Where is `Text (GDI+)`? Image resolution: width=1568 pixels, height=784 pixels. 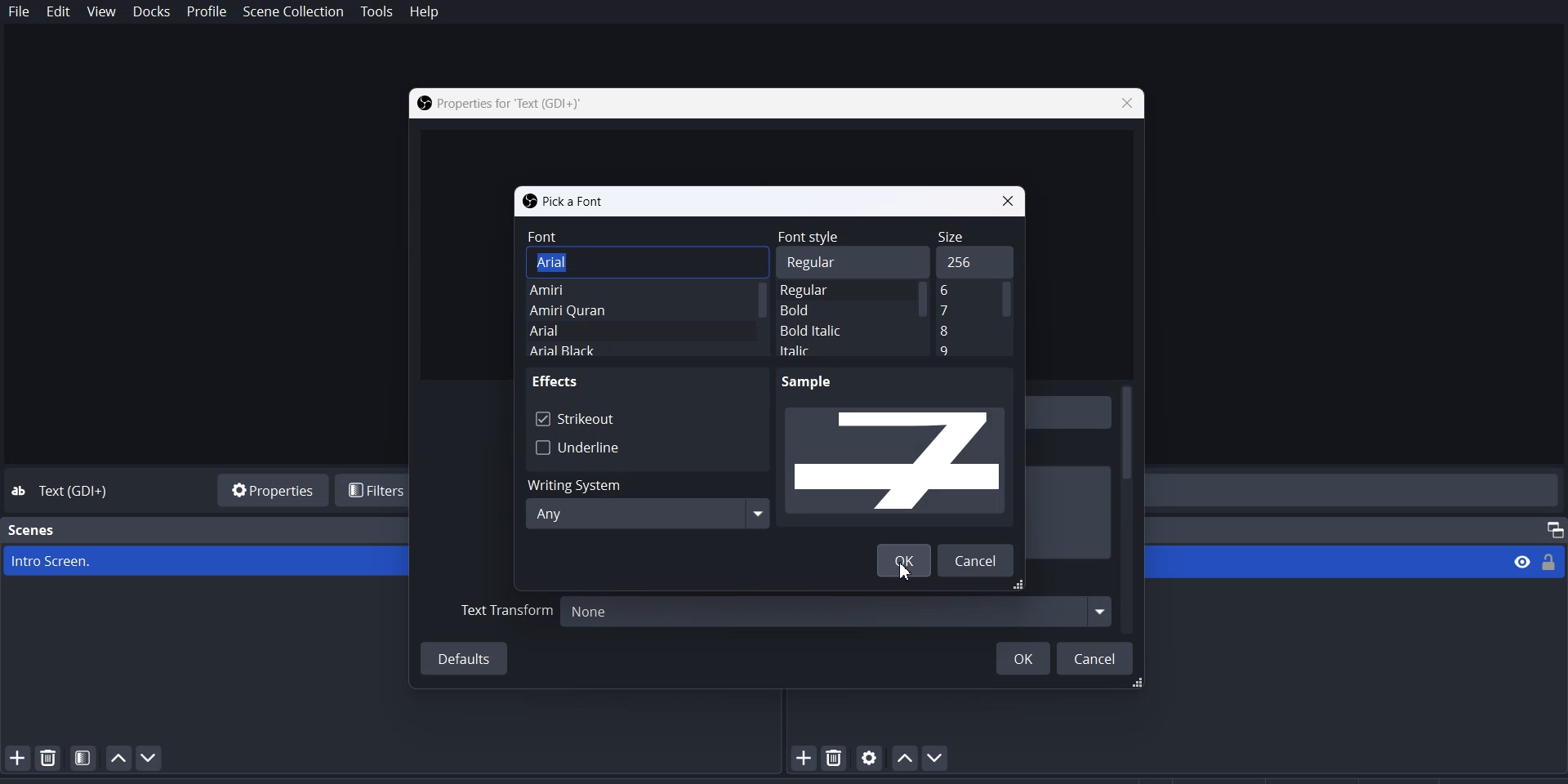
Text (GDI+) is located at coordinates (78, 492).